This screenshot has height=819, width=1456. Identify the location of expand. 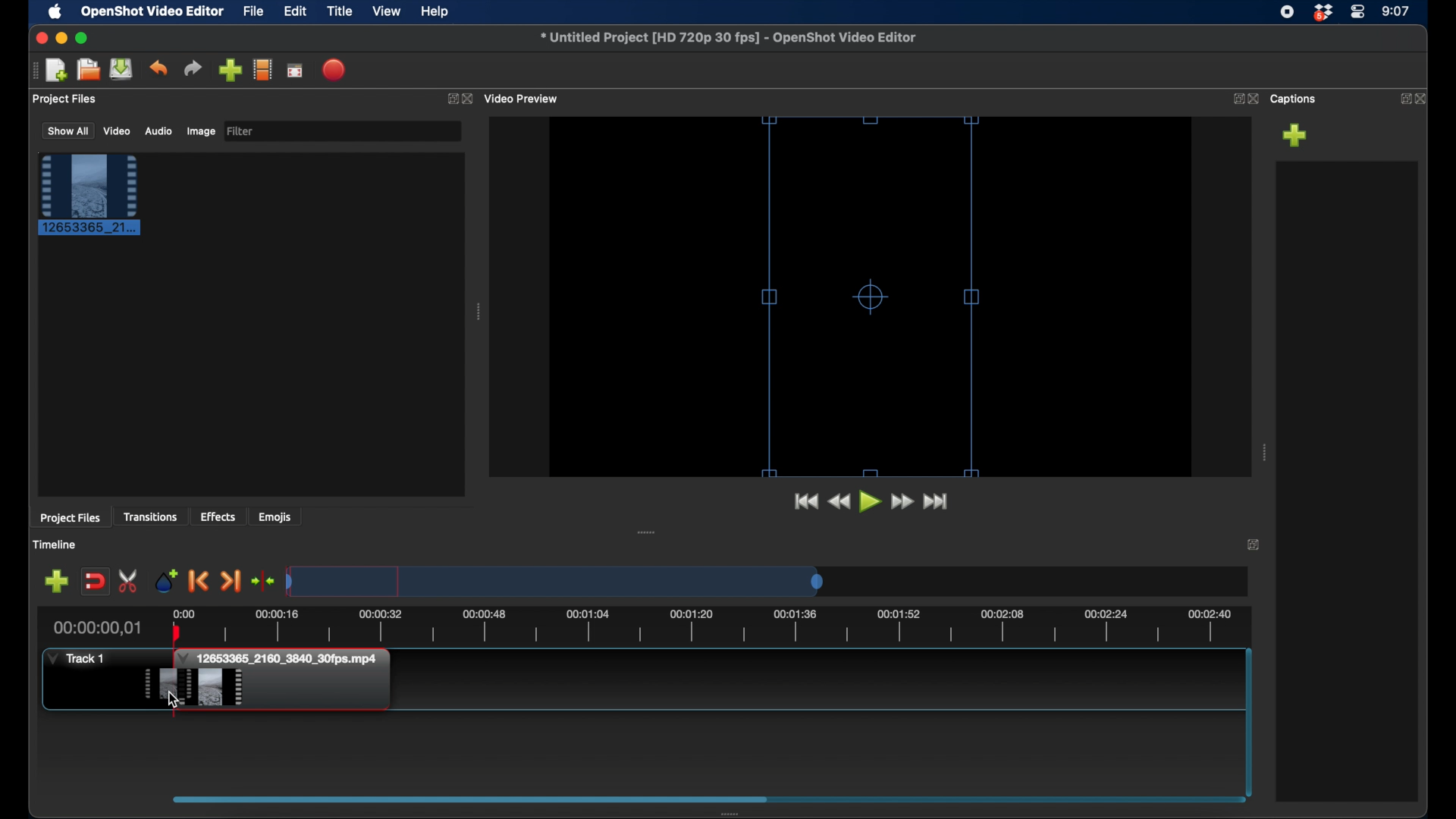
(450, 98).